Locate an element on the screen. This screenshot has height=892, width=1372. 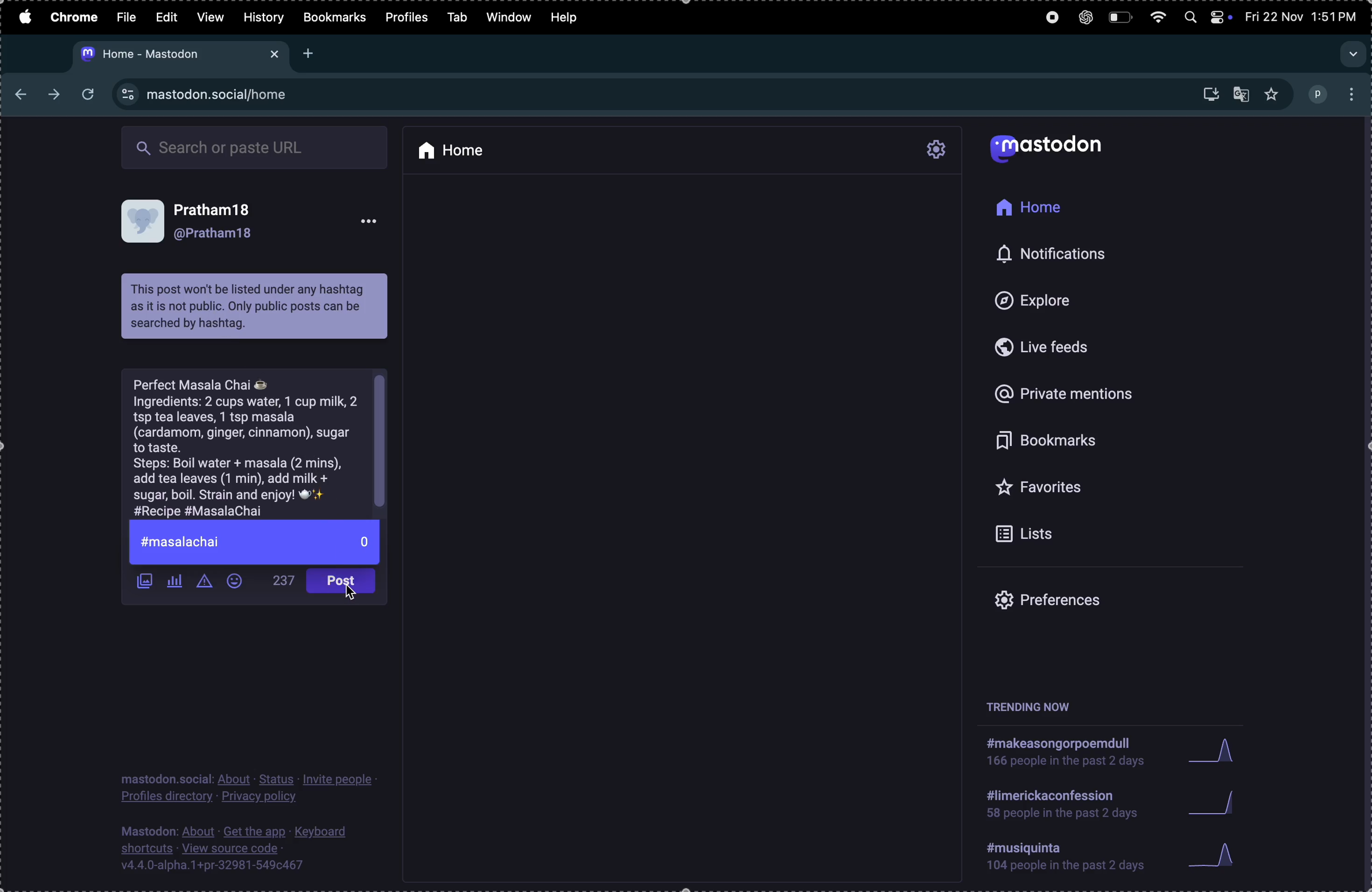
graphs is located at coordinates (1234, 802).